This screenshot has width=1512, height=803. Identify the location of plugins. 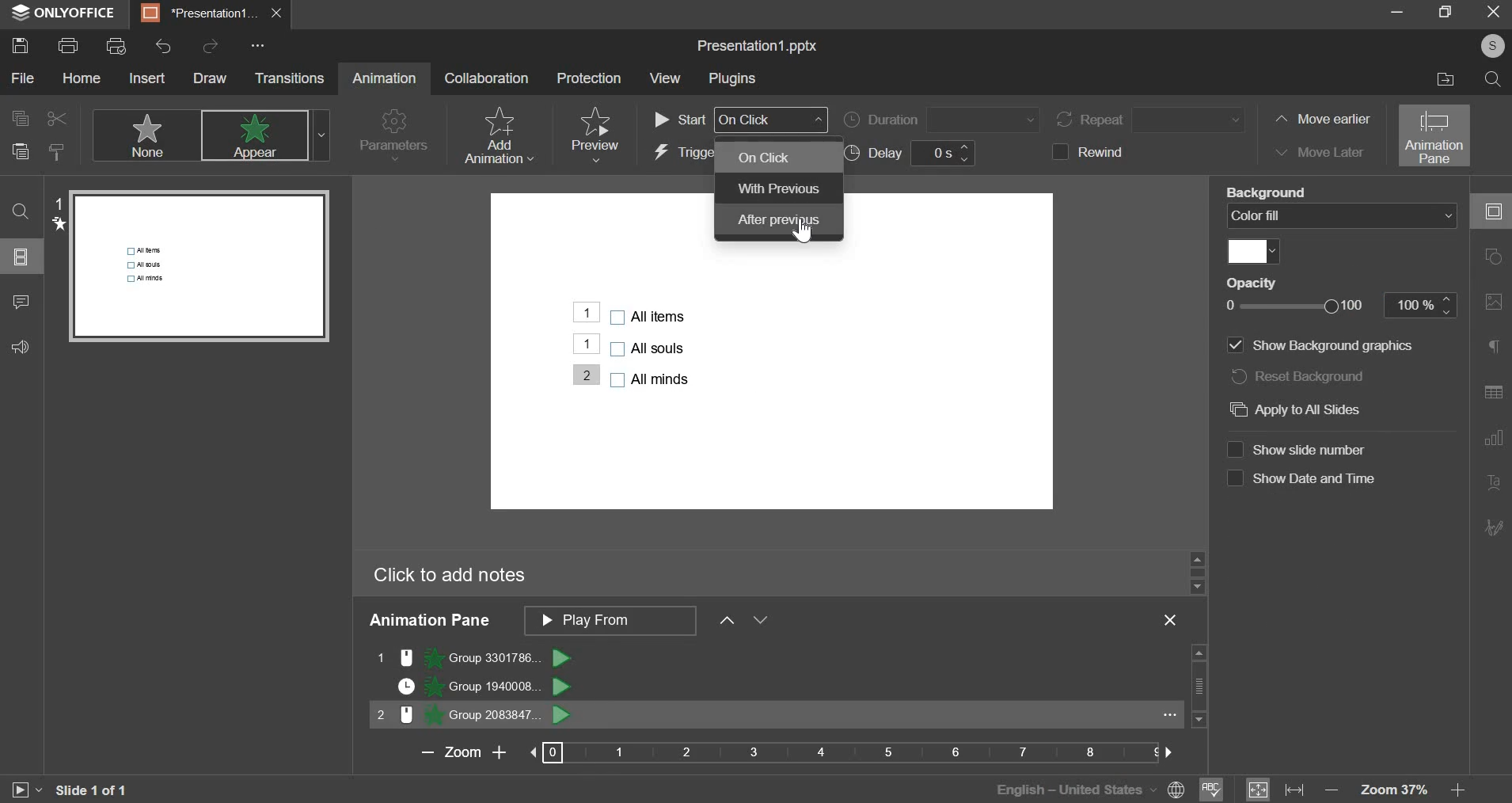
(731, 79).